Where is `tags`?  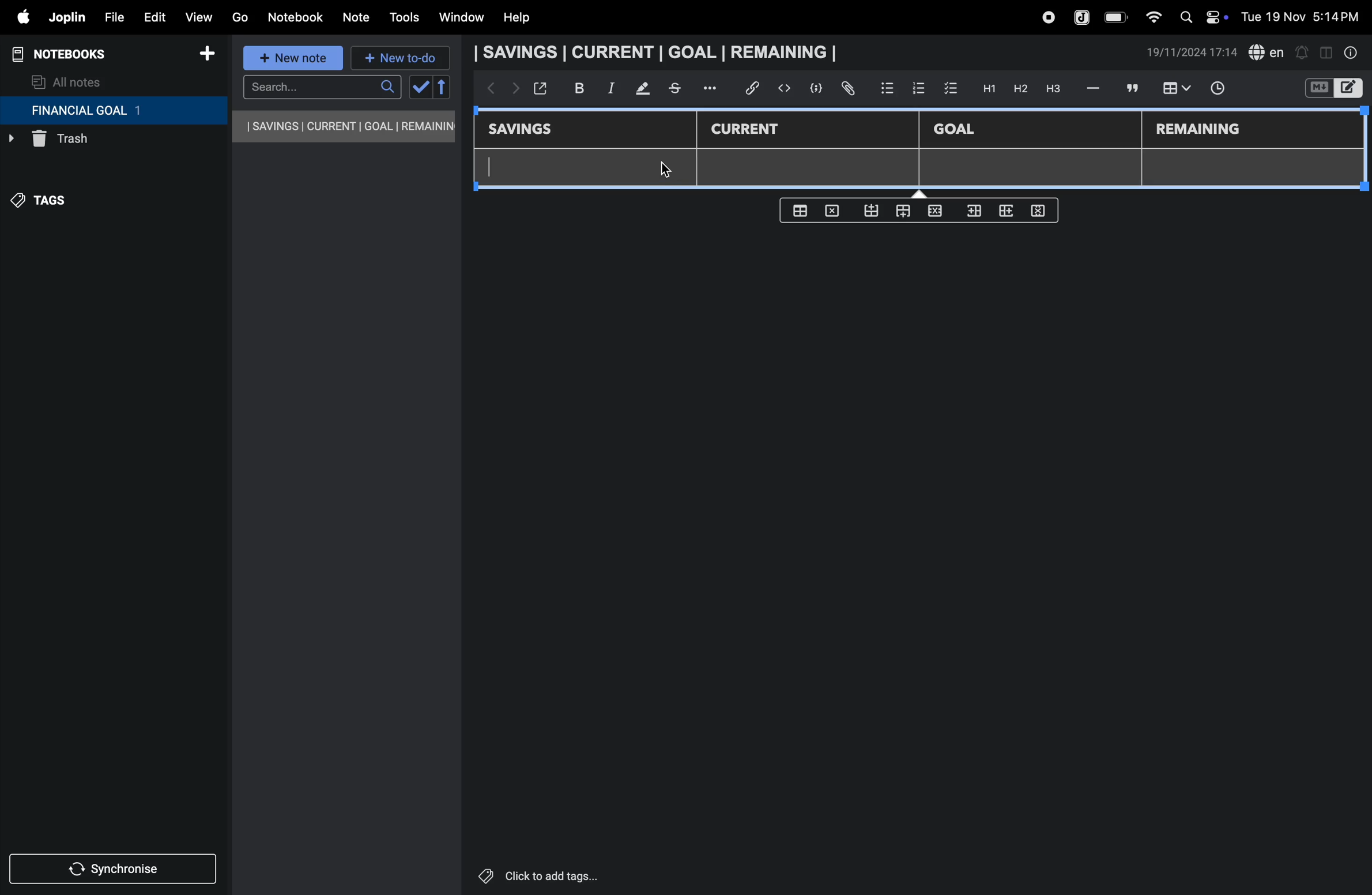 tags is located at coordinates (47, 206).